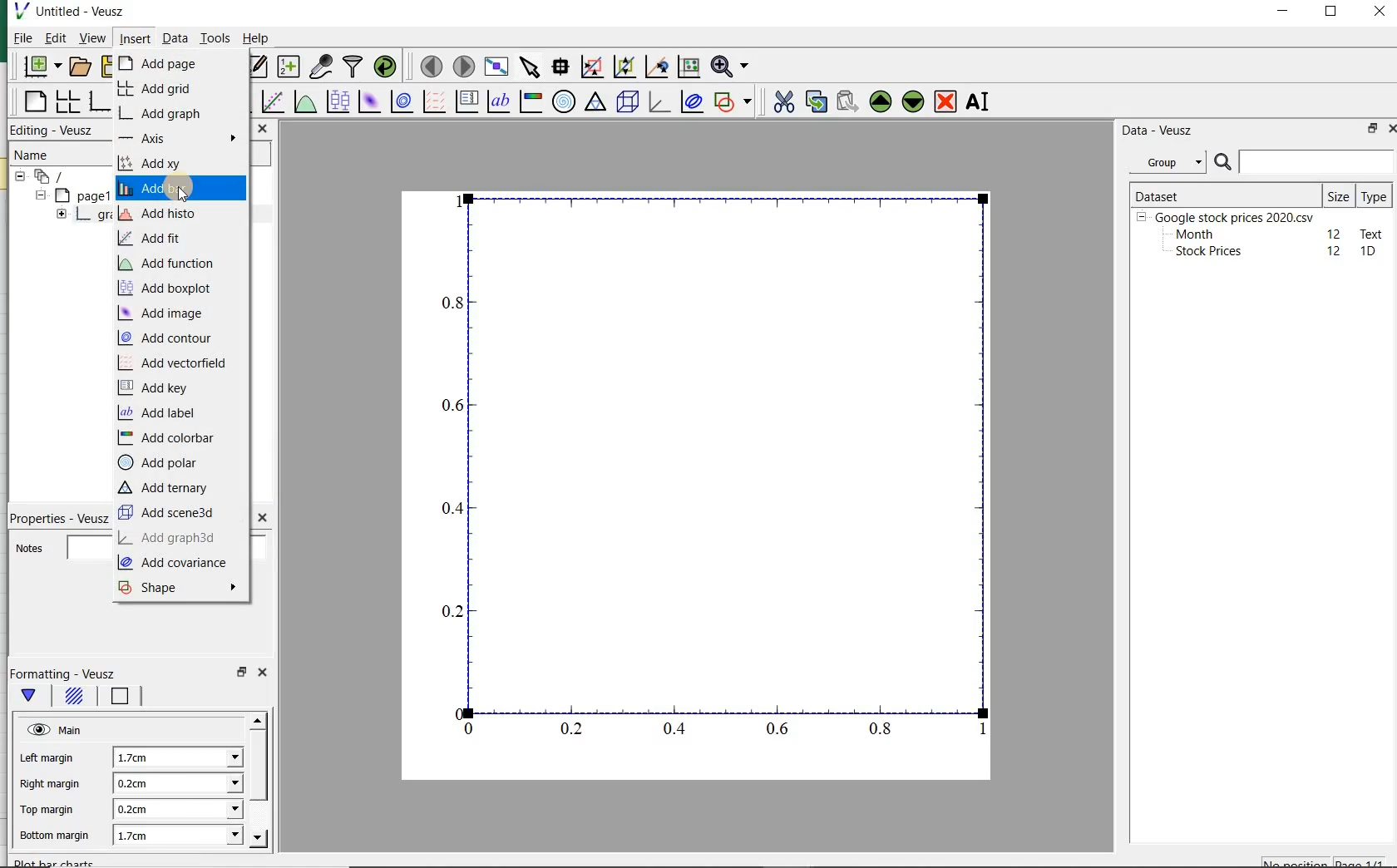  What do you see at coordinates (262, 128) in the screenshot?
I see `close` at bounding box center [262, 128].